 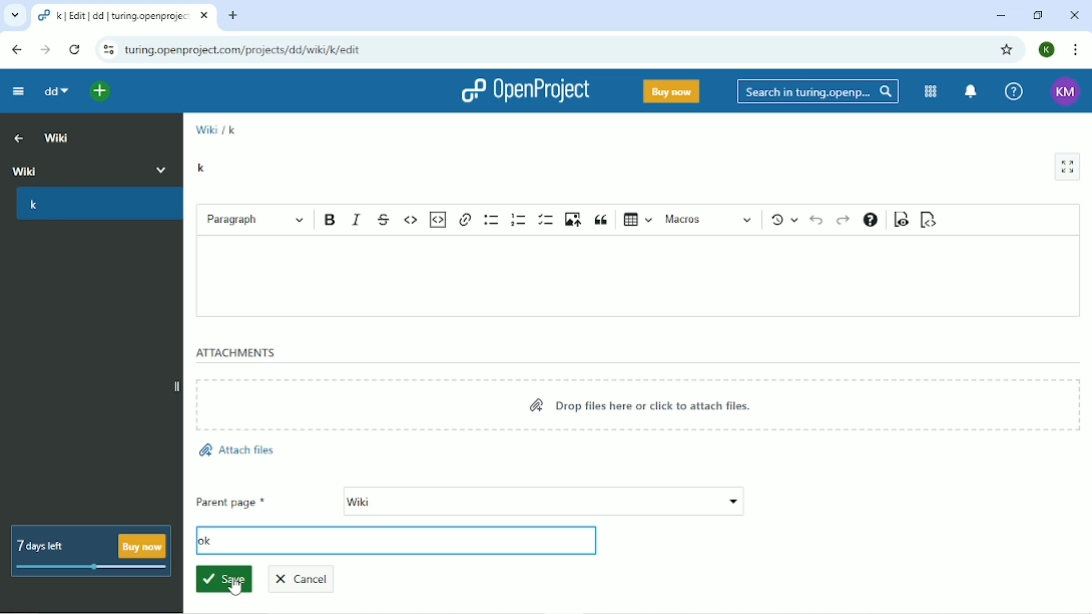 I want to click on Cancel, so click(x=308, y=577).